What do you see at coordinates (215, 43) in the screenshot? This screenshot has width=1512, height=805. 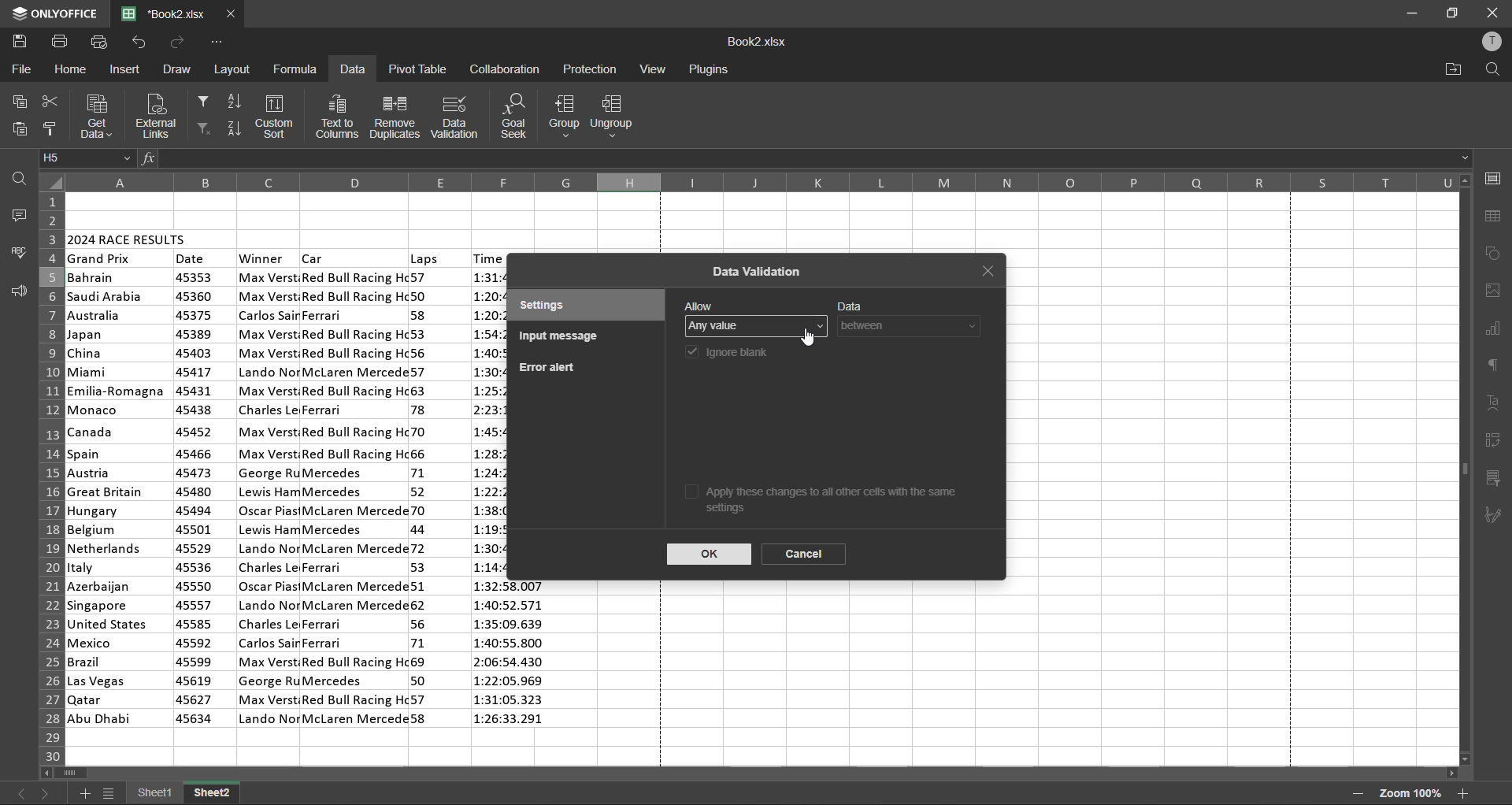 I see `customize quick access toolbar` at bounding box center [215, 43].